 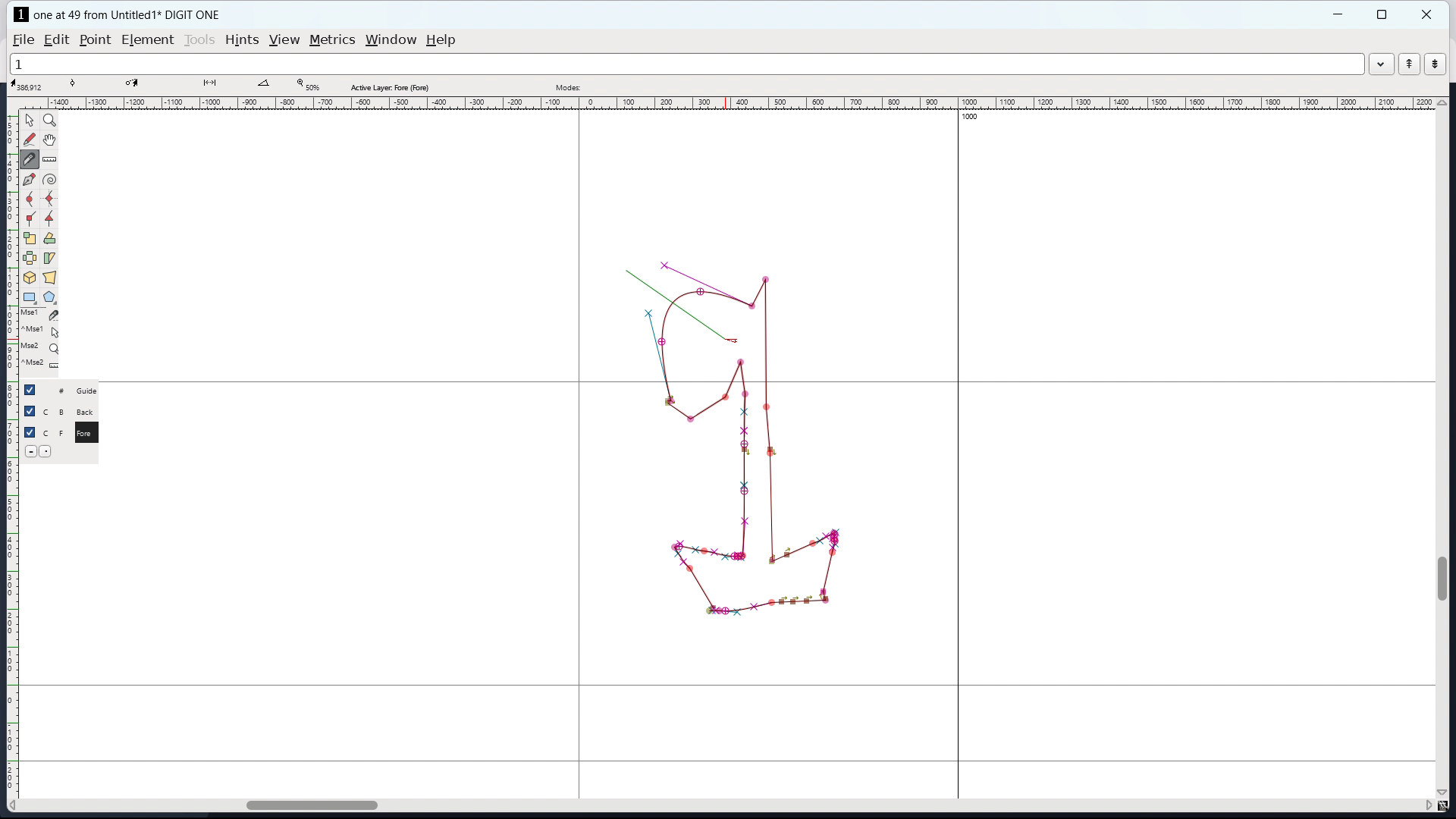 I want to click on ^mse2, so click(x=42, y=365).